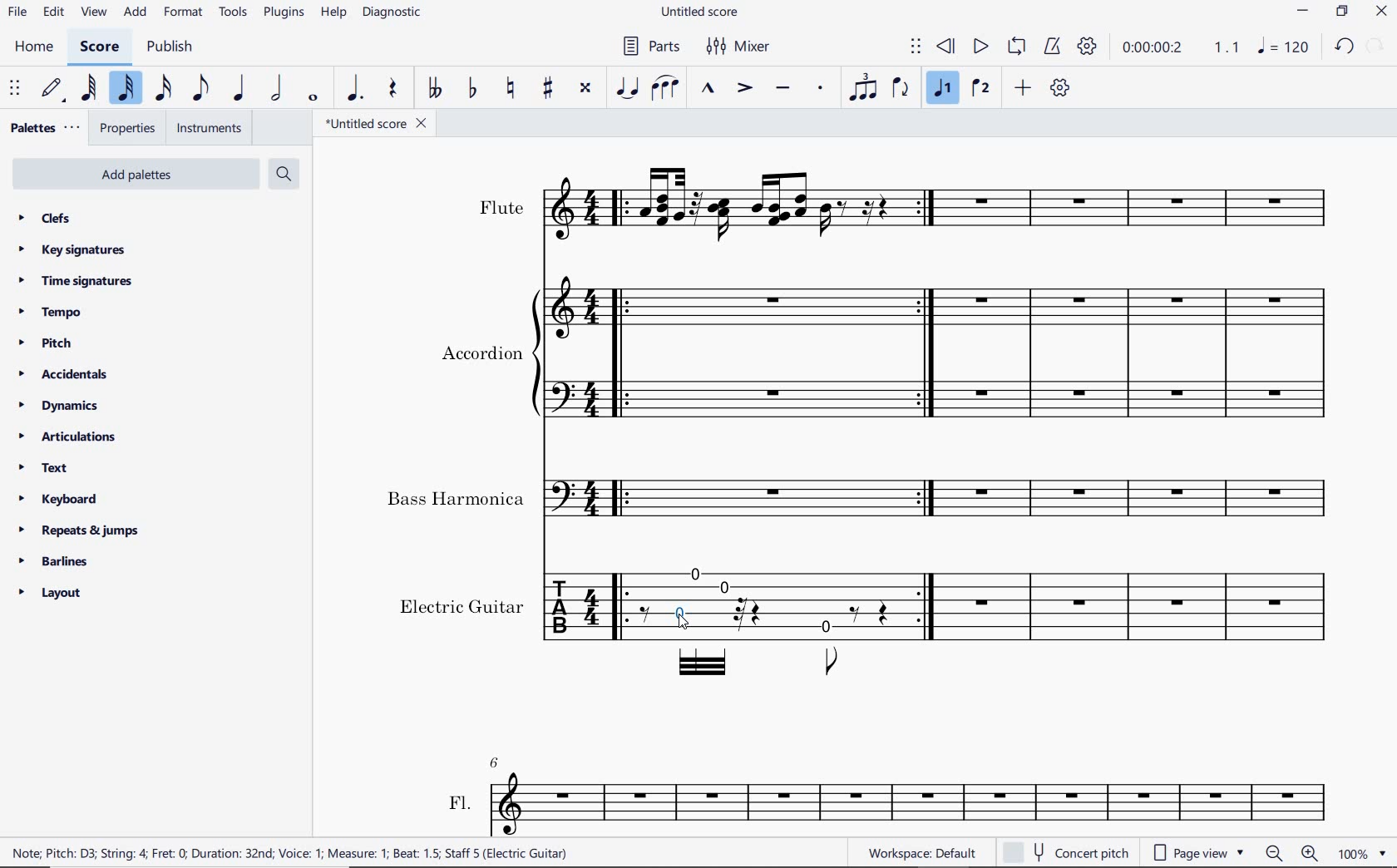 This screenshot has height=868, width=1397. Describe the element at coordinates (629, 86) in the screenshot. I see `tie` at that location.